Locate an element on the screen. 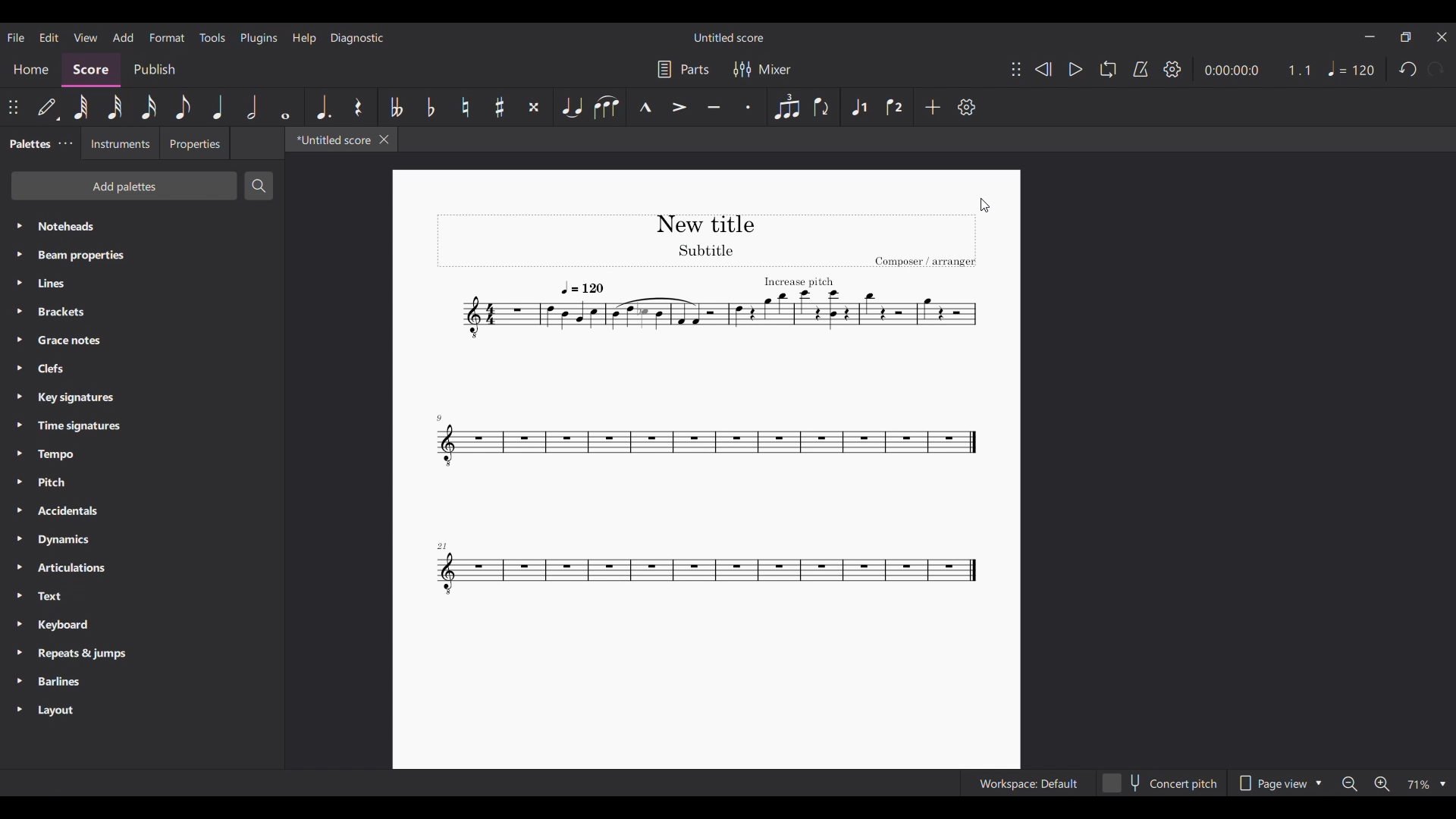 This screenshot has height=819, width=1456. Rest is located at coordinates (359, 107).